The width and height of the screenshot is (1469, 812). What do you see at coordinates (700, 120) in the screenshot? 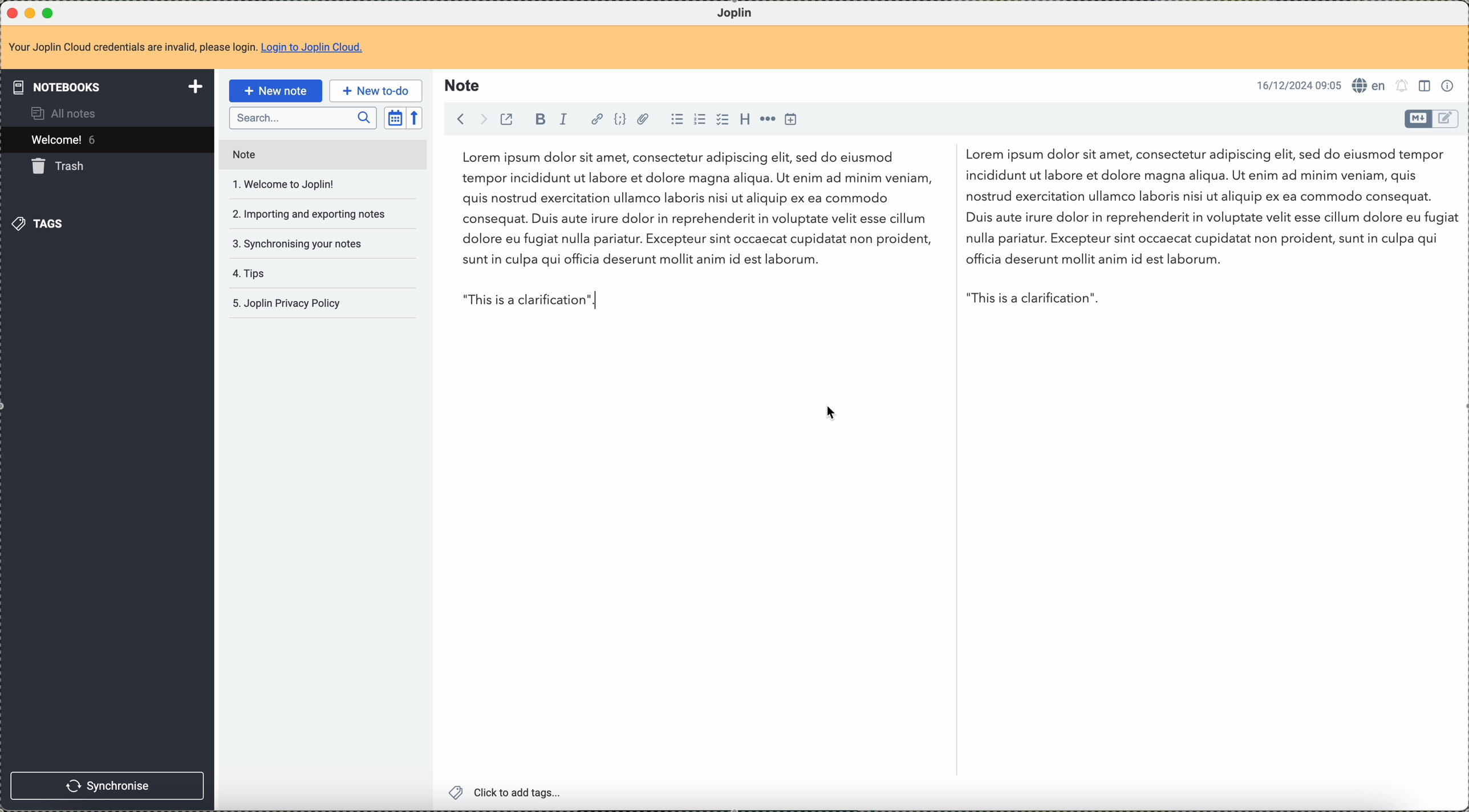
I see `numbered list` at bounding box center [700, 120].